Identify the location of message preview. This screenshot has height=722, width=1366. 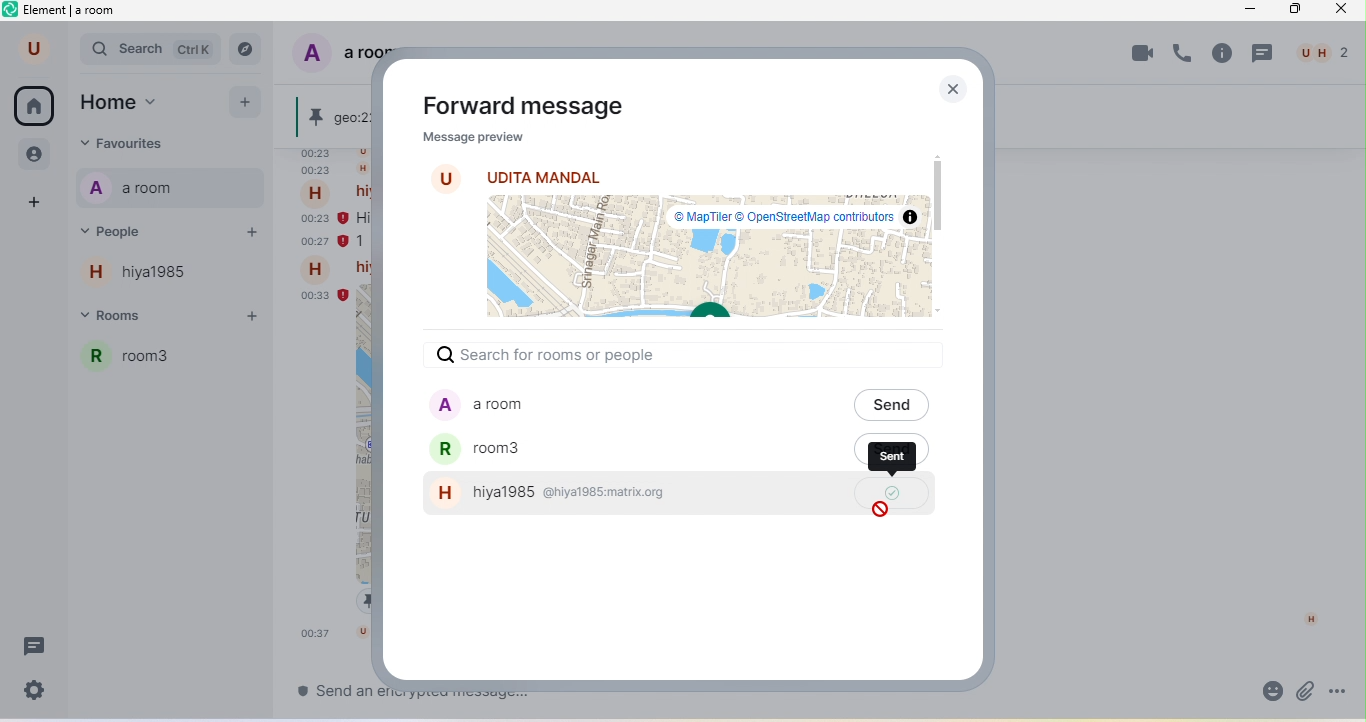
(469, 139).